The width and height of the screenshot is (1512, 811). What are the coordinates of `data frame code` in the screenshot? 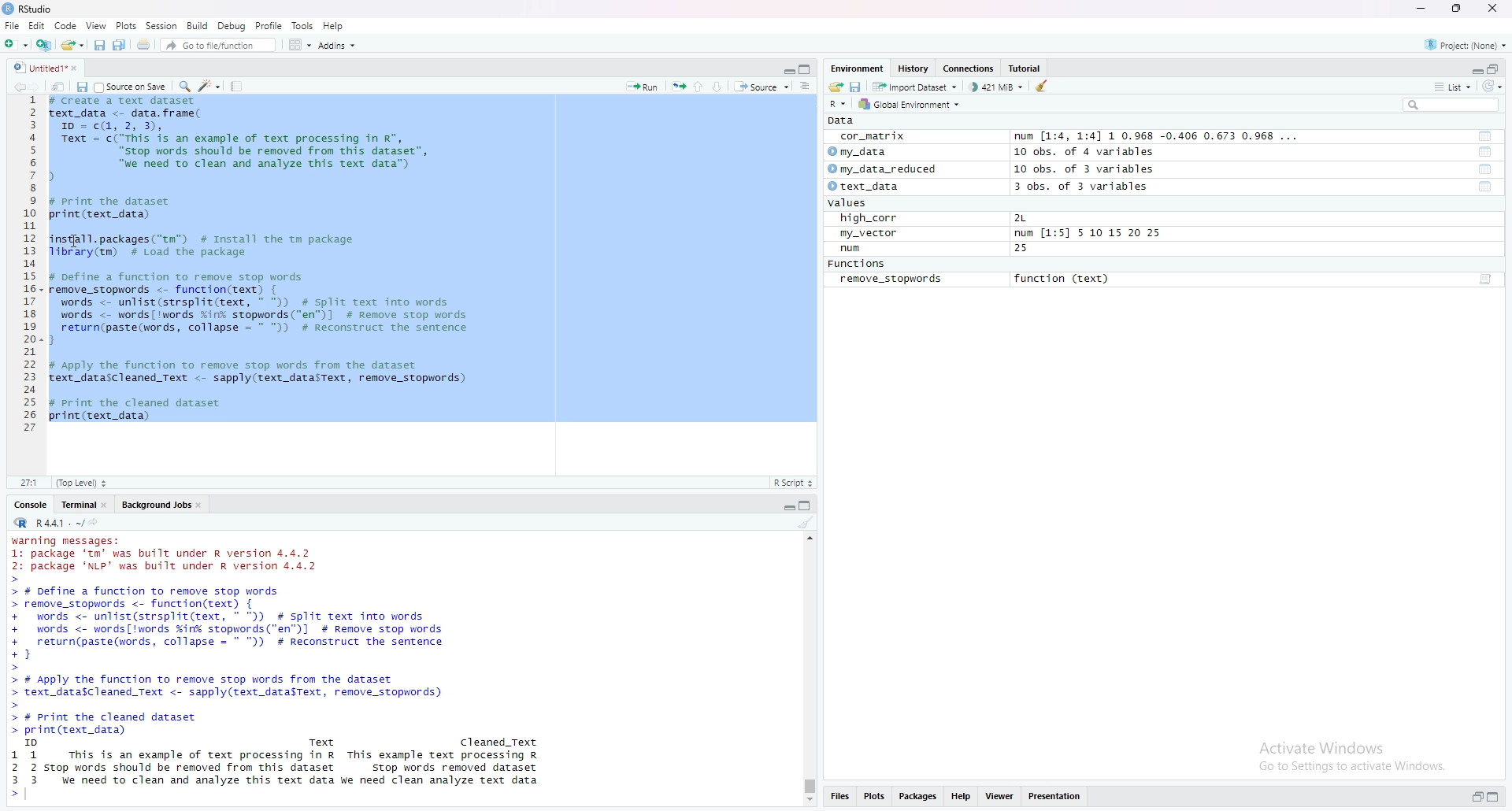 It's located at (262, 260).